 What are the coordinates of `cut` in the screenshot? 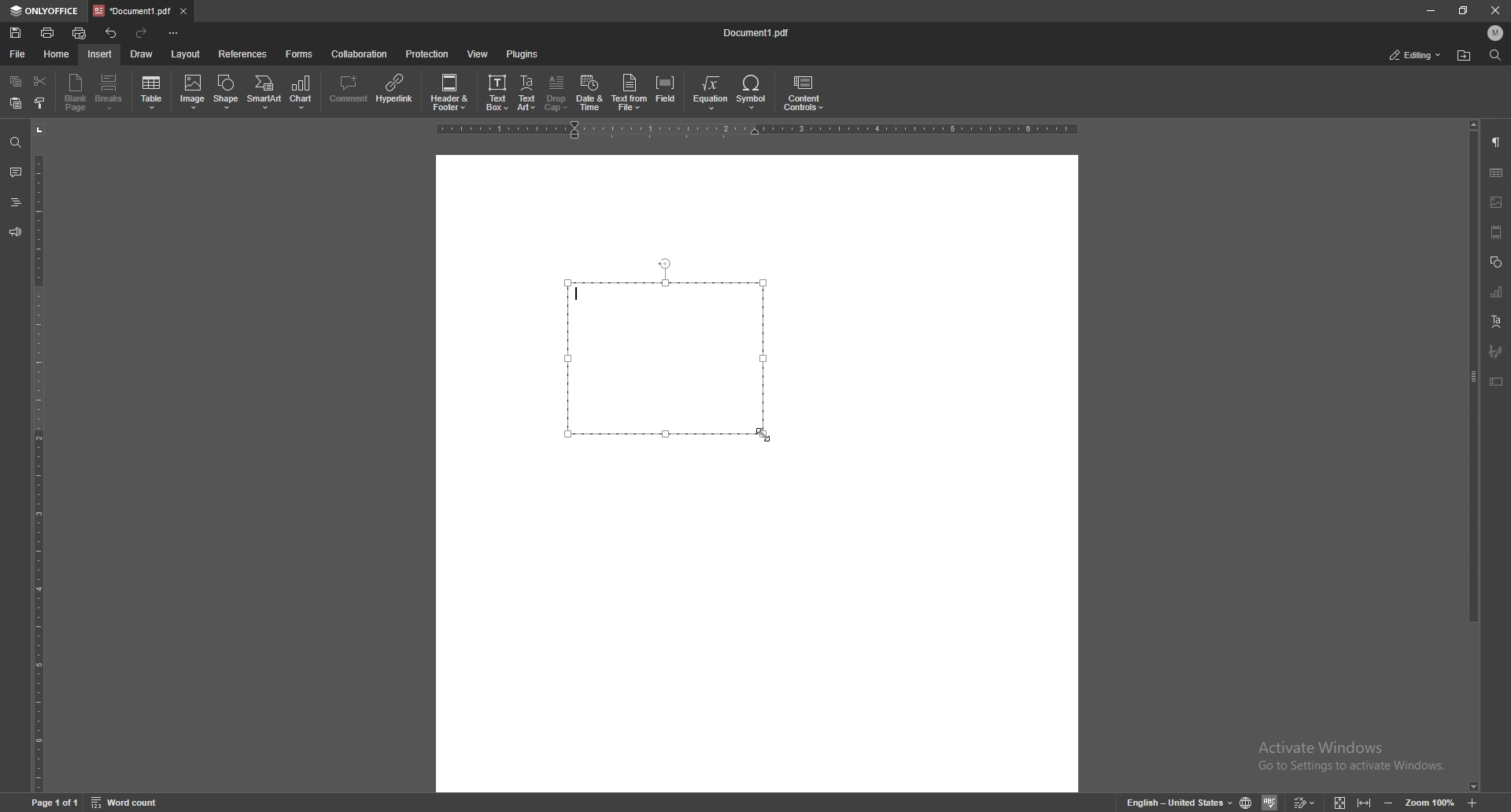 It's located at (40, 81).